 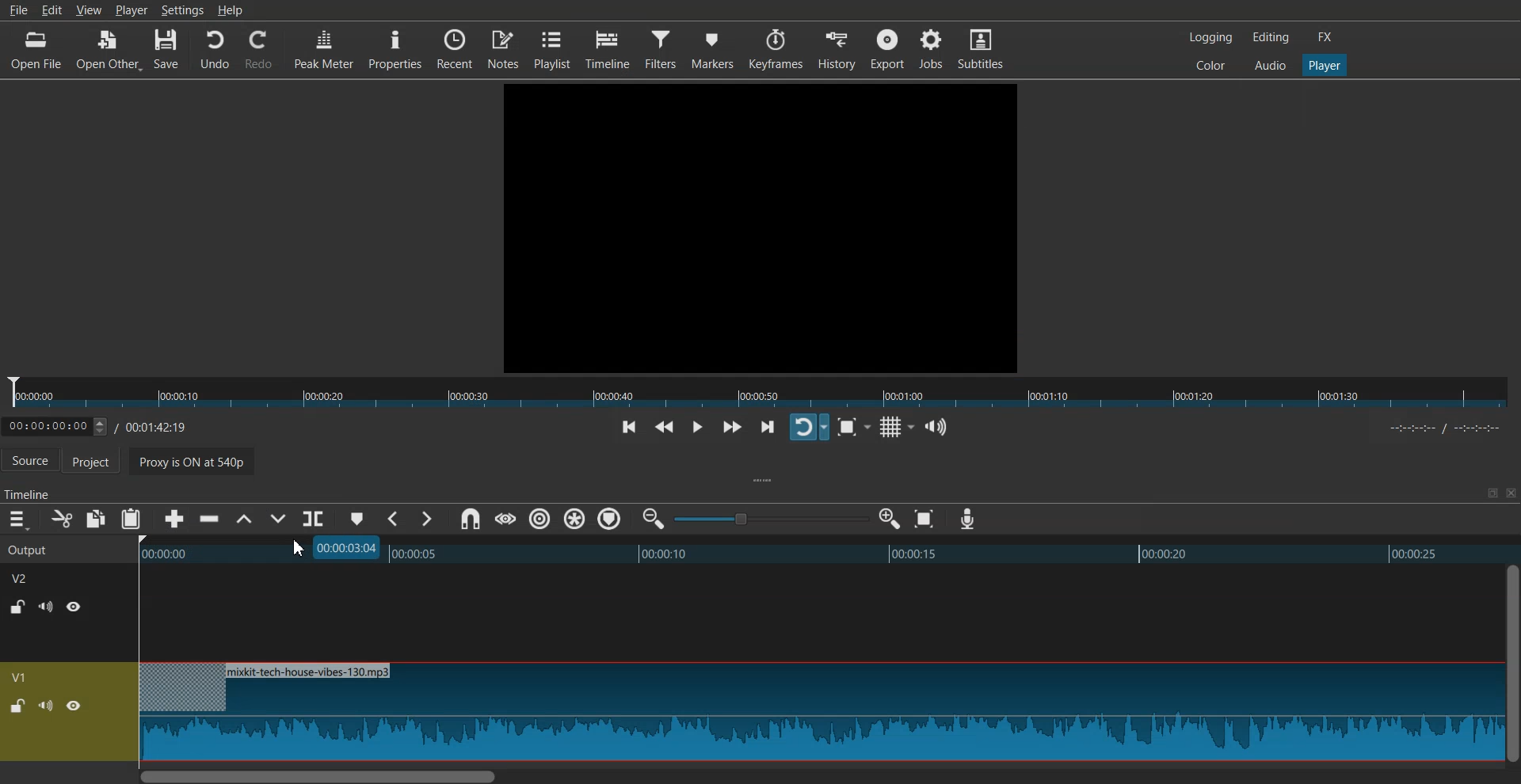 I want to click on Export, so click(x=887, y=48).